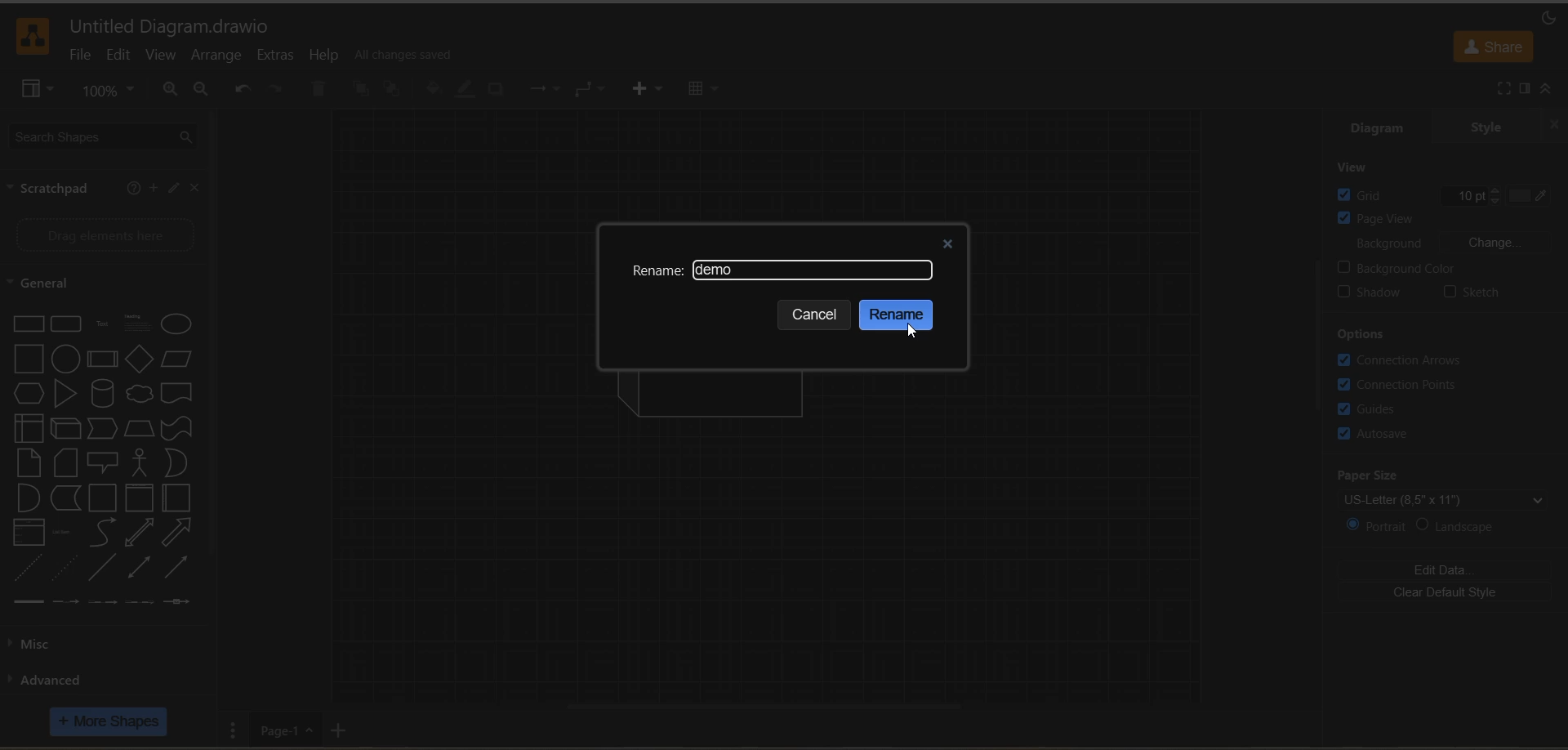 The height and width of the screenshot is (750, 1568). Describe the element at coordinates (1548, 19) in the screenshot. I see `appearance` at that location.